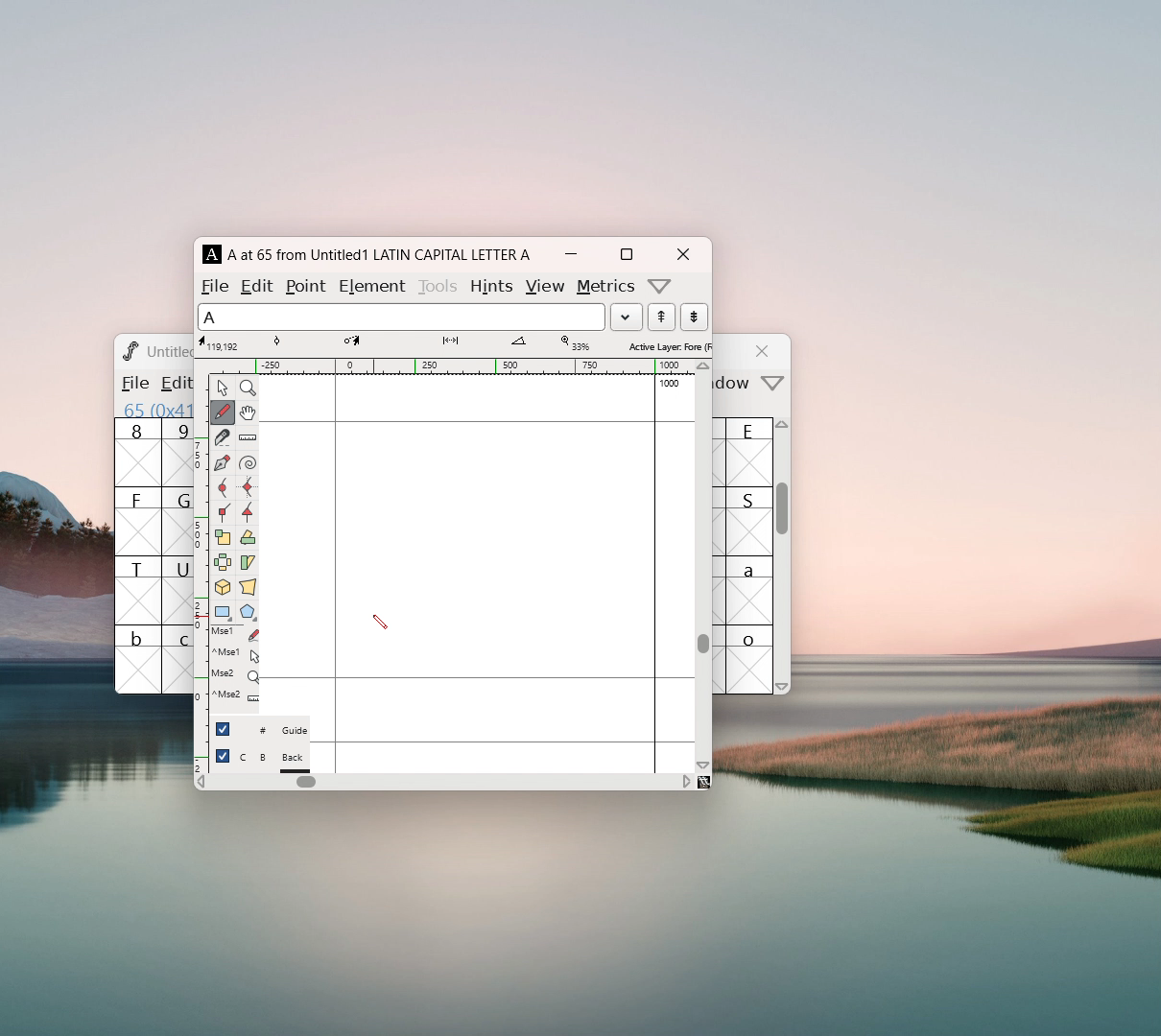 This screenshot has width=1161, height=1036. Describe the element at coordinates (574, 343) in the screenshot. I see `level of maginification` at that location.